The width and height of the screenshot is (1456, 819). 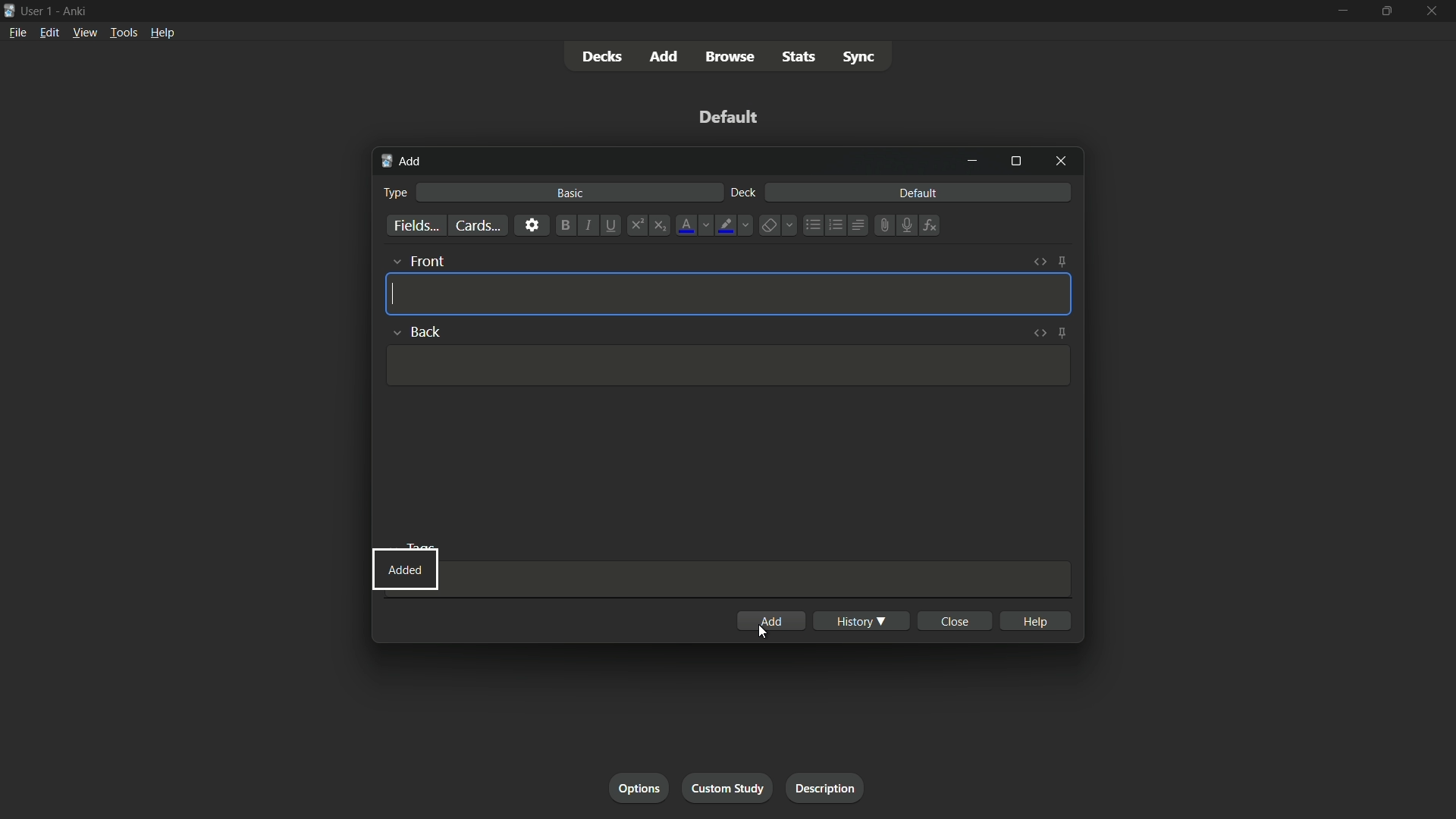 What do you see at coordinates (918, 193) in the screenshot?
I see `default` at bounding box center [918, 193].